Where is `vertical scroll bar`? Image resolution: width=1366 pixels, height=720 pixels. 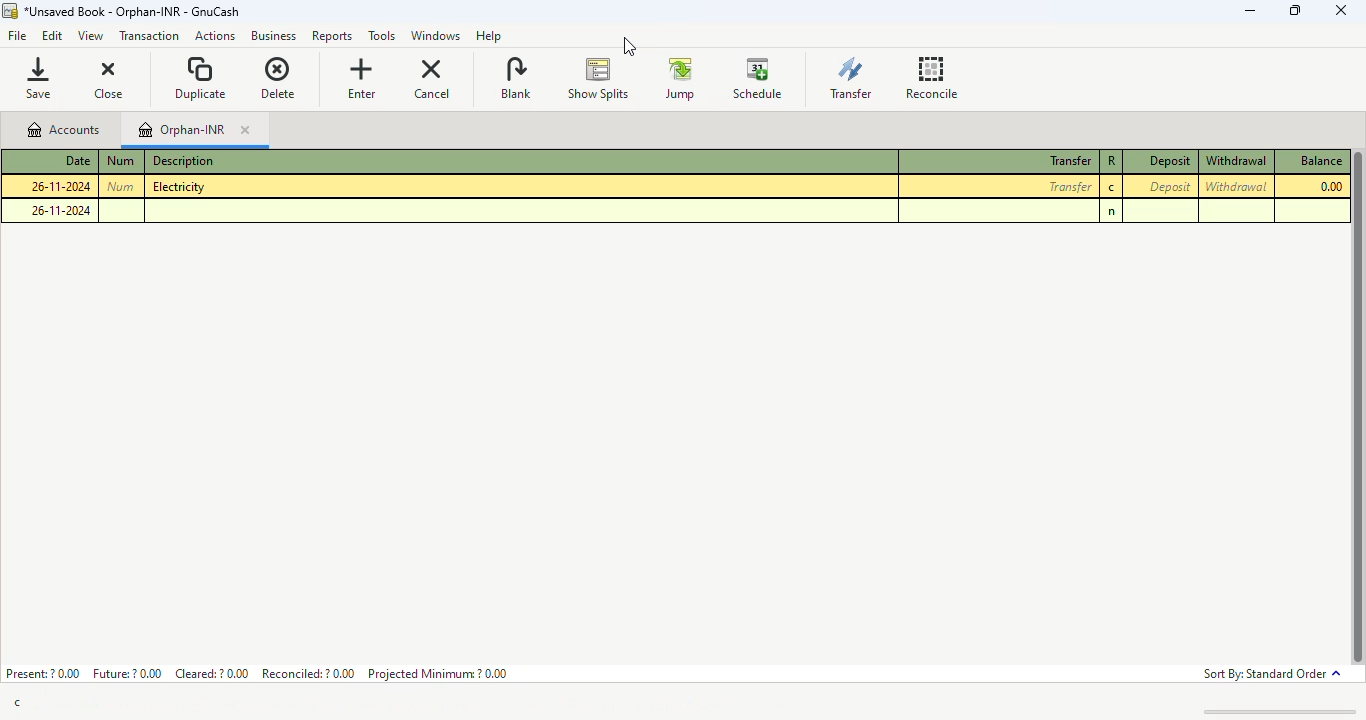 vertical scroll bar is located at coordinates (1357, 408).